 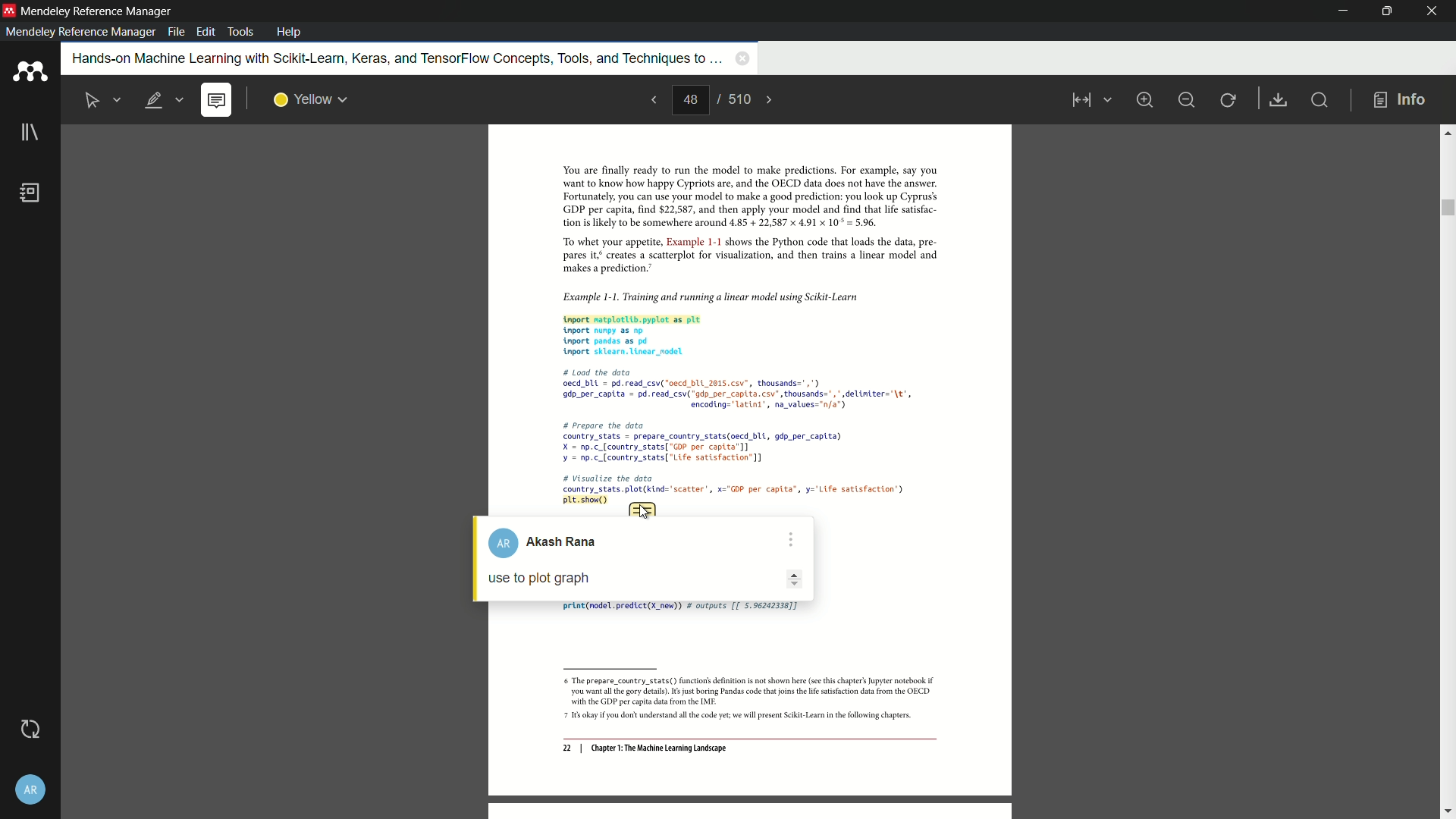 I want to click on add note, so click(x=215, y=101).